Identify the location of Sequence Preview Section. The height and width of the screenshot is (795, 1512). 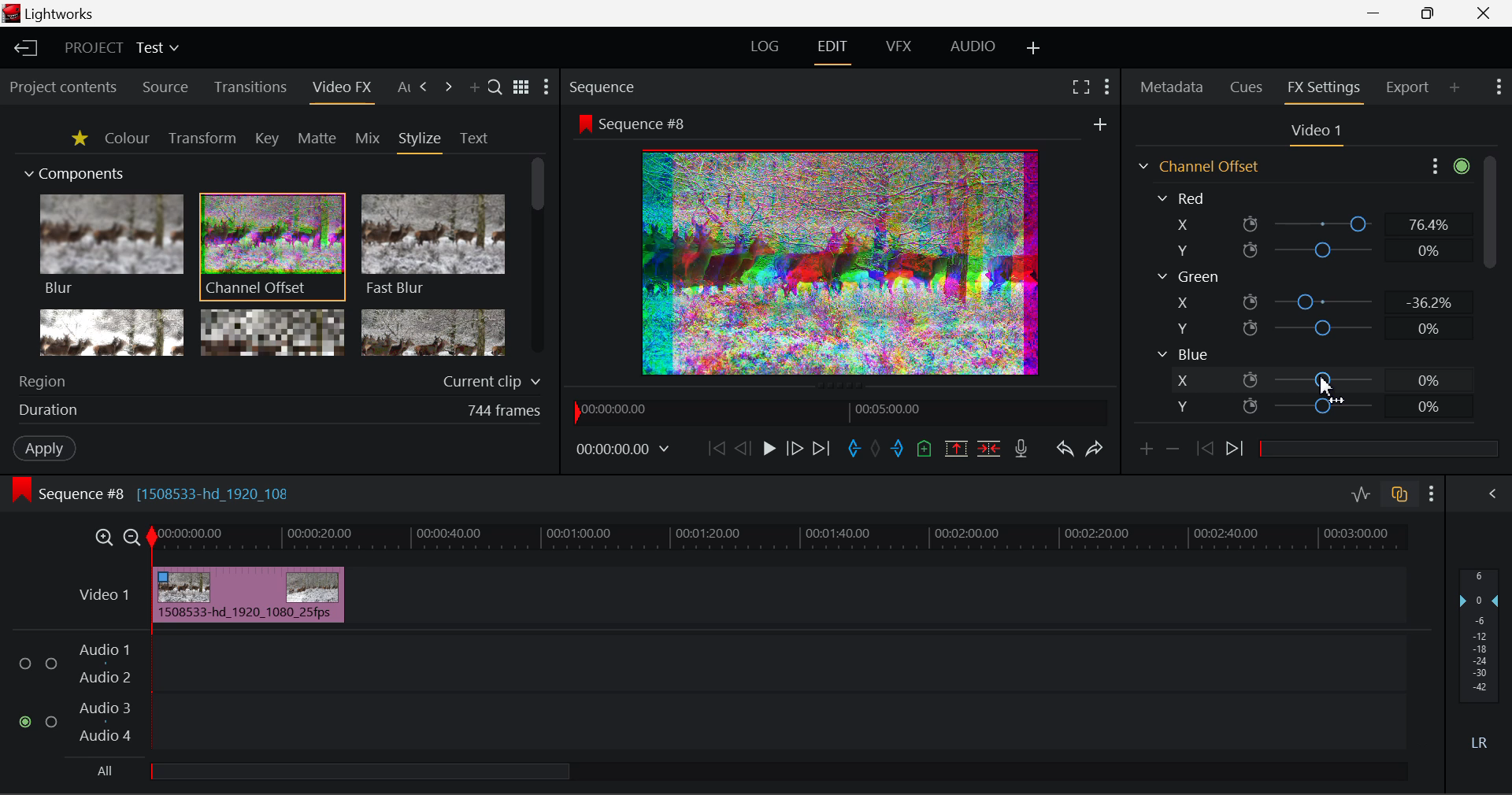
(604, 86).